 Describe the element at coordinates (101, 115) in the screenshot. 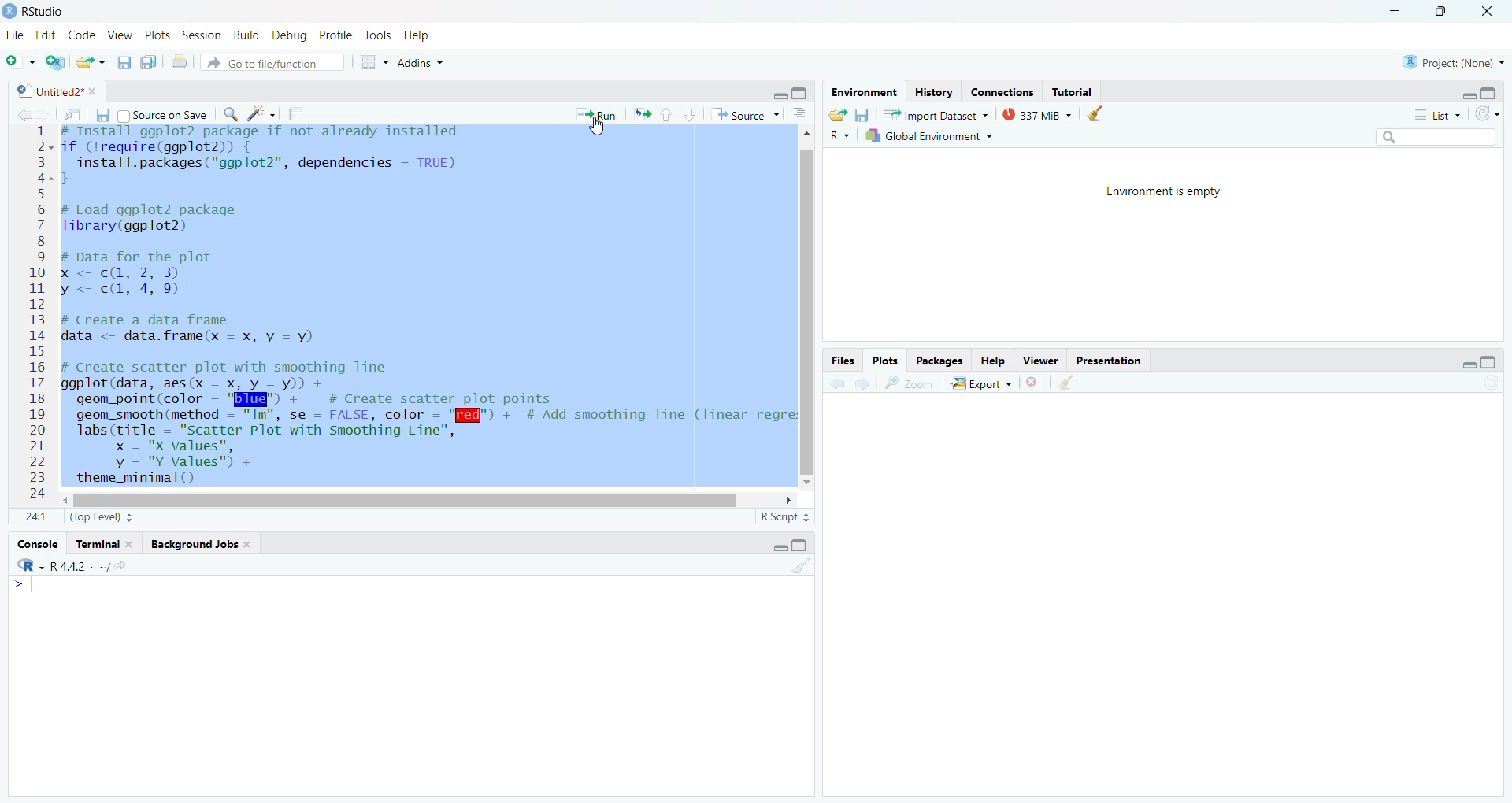

I see `save current file` at that location.